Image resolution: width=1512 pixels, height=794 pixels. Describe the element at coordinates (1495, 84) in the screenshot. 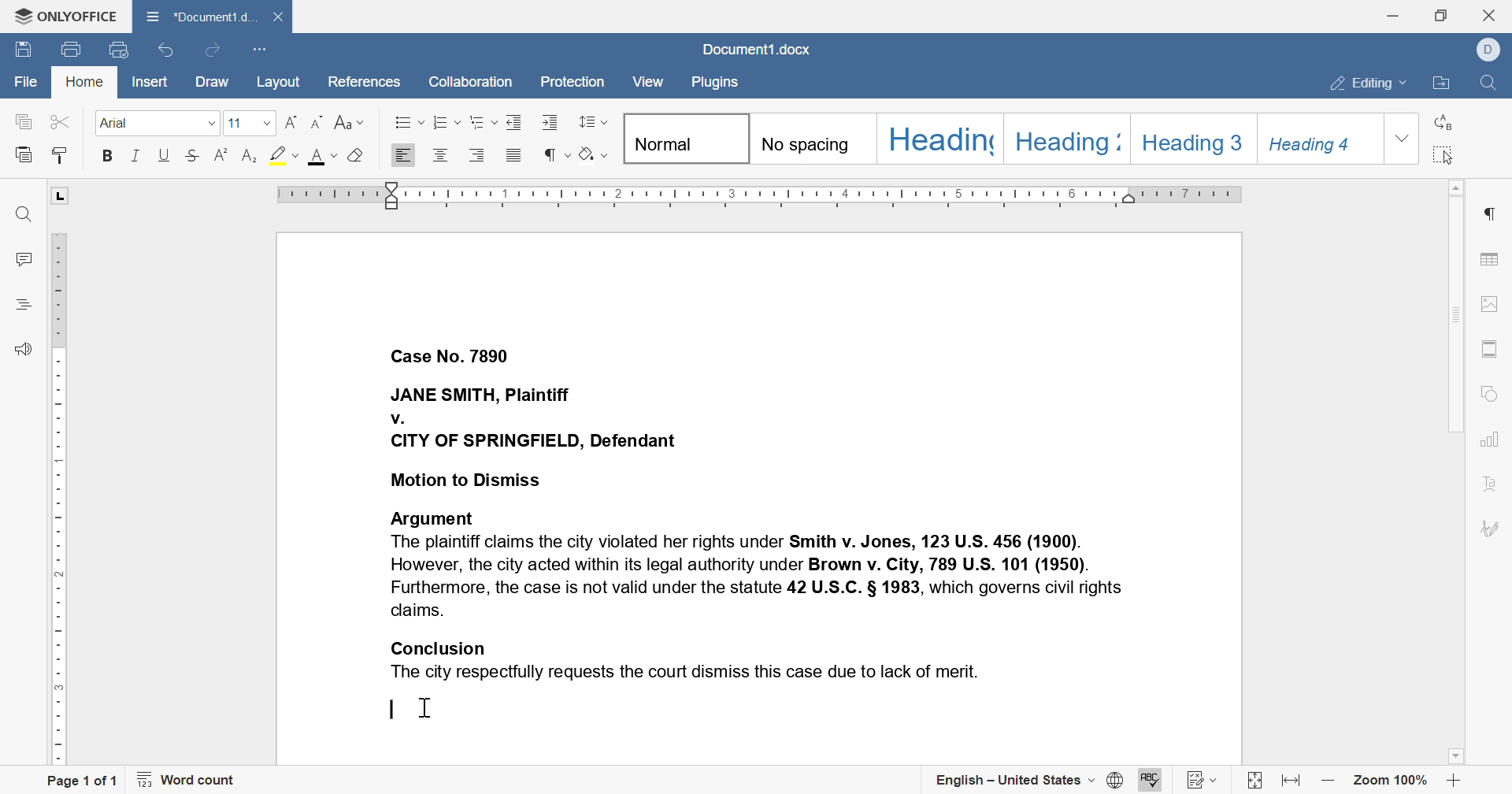

I see `find` at that location.